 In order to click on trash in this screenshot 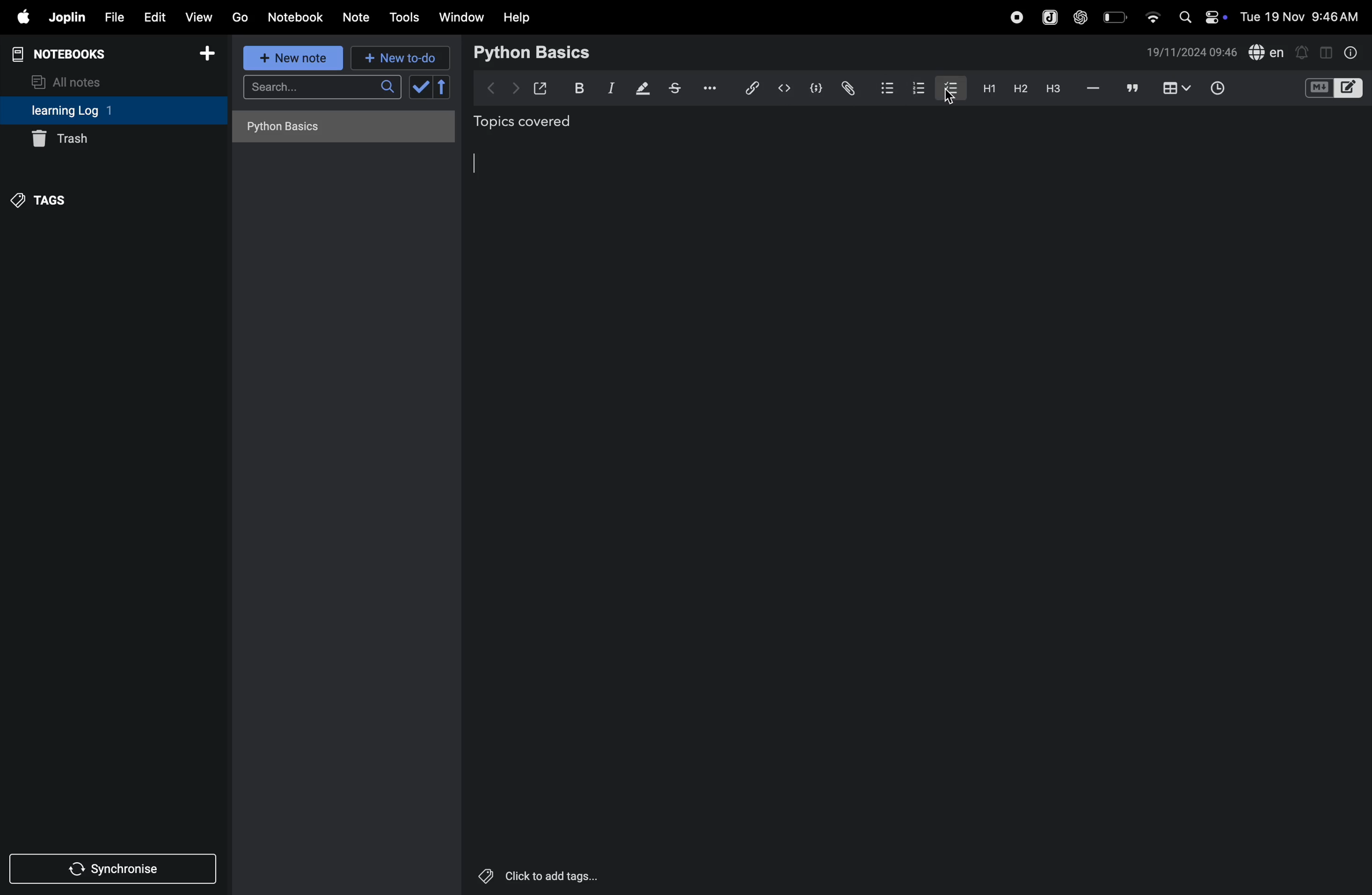, I will do `click(113, 138)`.